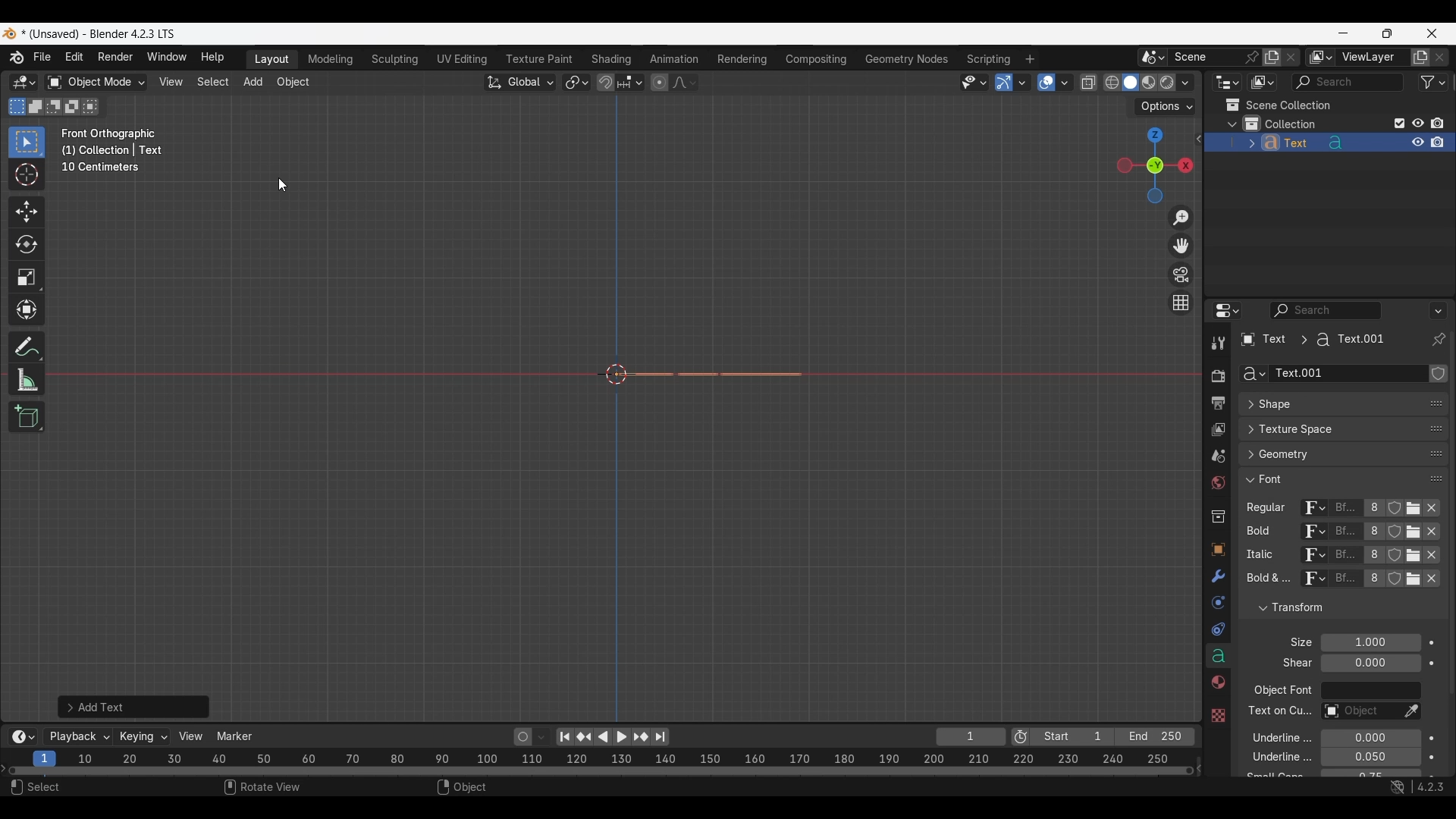 The height and width of the screenshot is (819, 1456). What do you see at coordinates (1227, 310) in the screenshot?
I see `Editor type` at bounding box center [1227, 310].